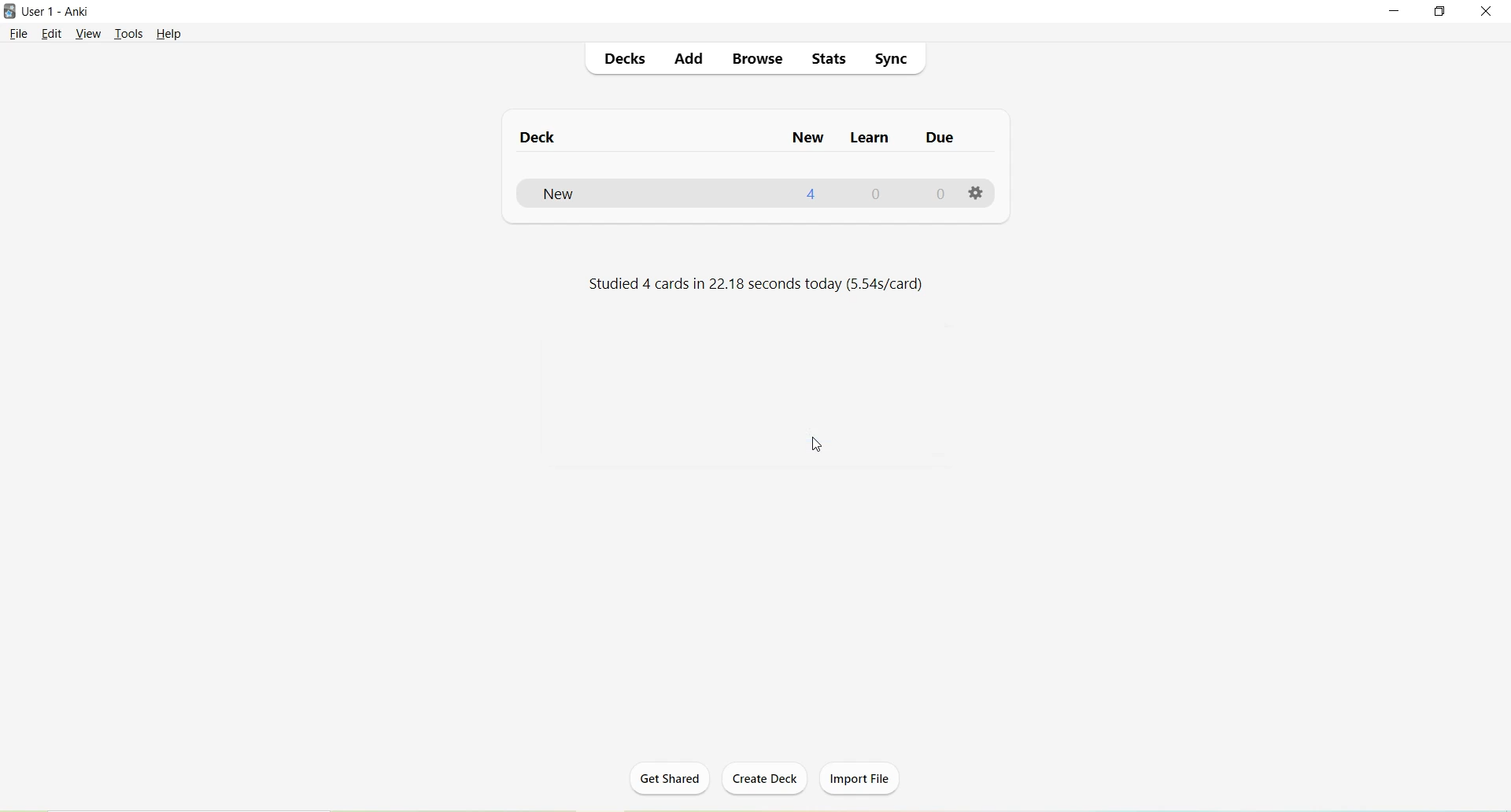  I want to click on Add, so click(690, 59).